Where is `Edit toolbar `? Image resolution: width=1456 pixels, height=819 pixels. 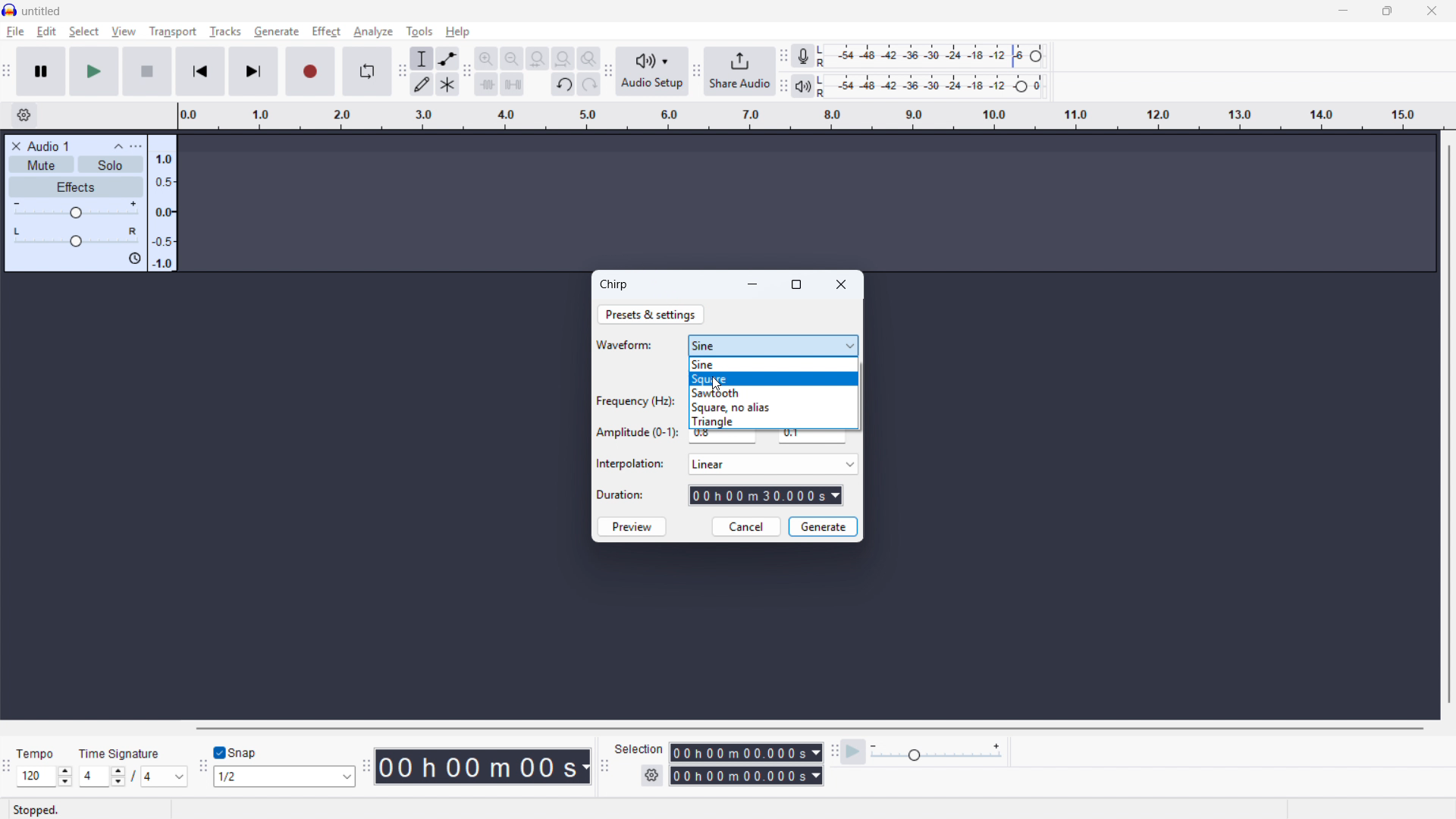 Edit toolbar  is located at coordinates (467, 73).